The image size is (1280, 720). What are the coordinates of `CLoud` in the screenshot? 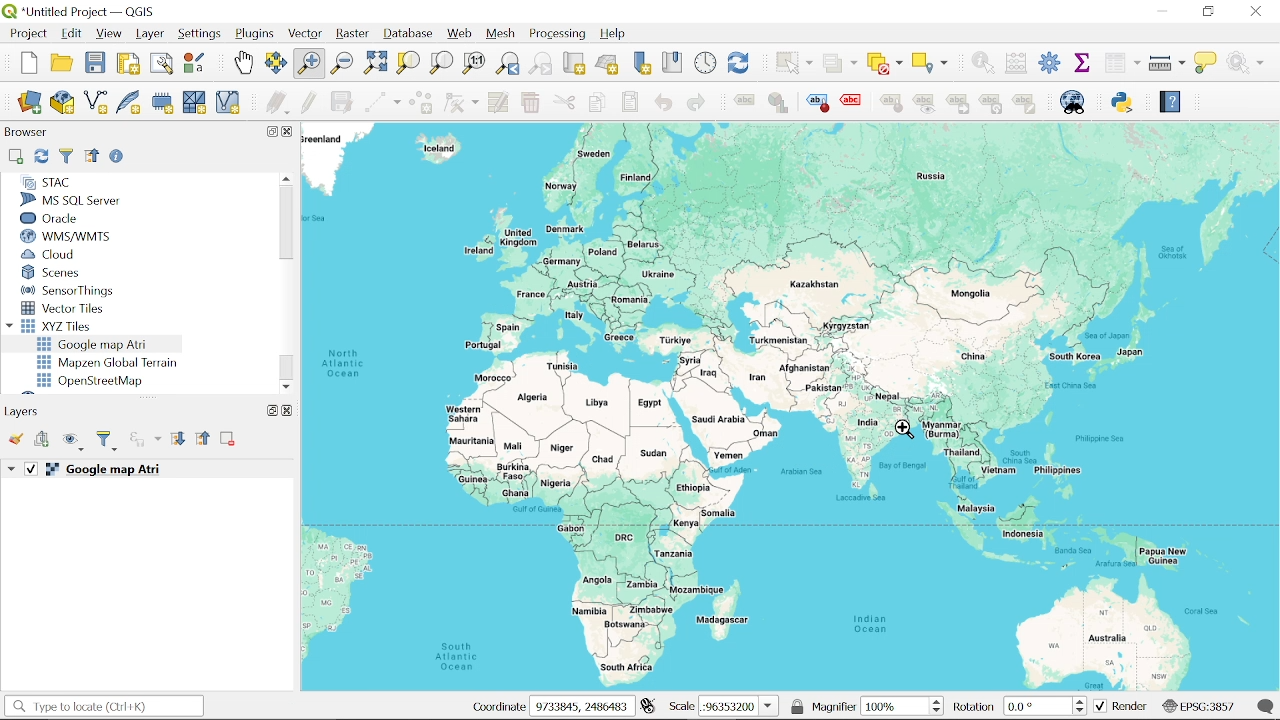 It's located at (50, 254).